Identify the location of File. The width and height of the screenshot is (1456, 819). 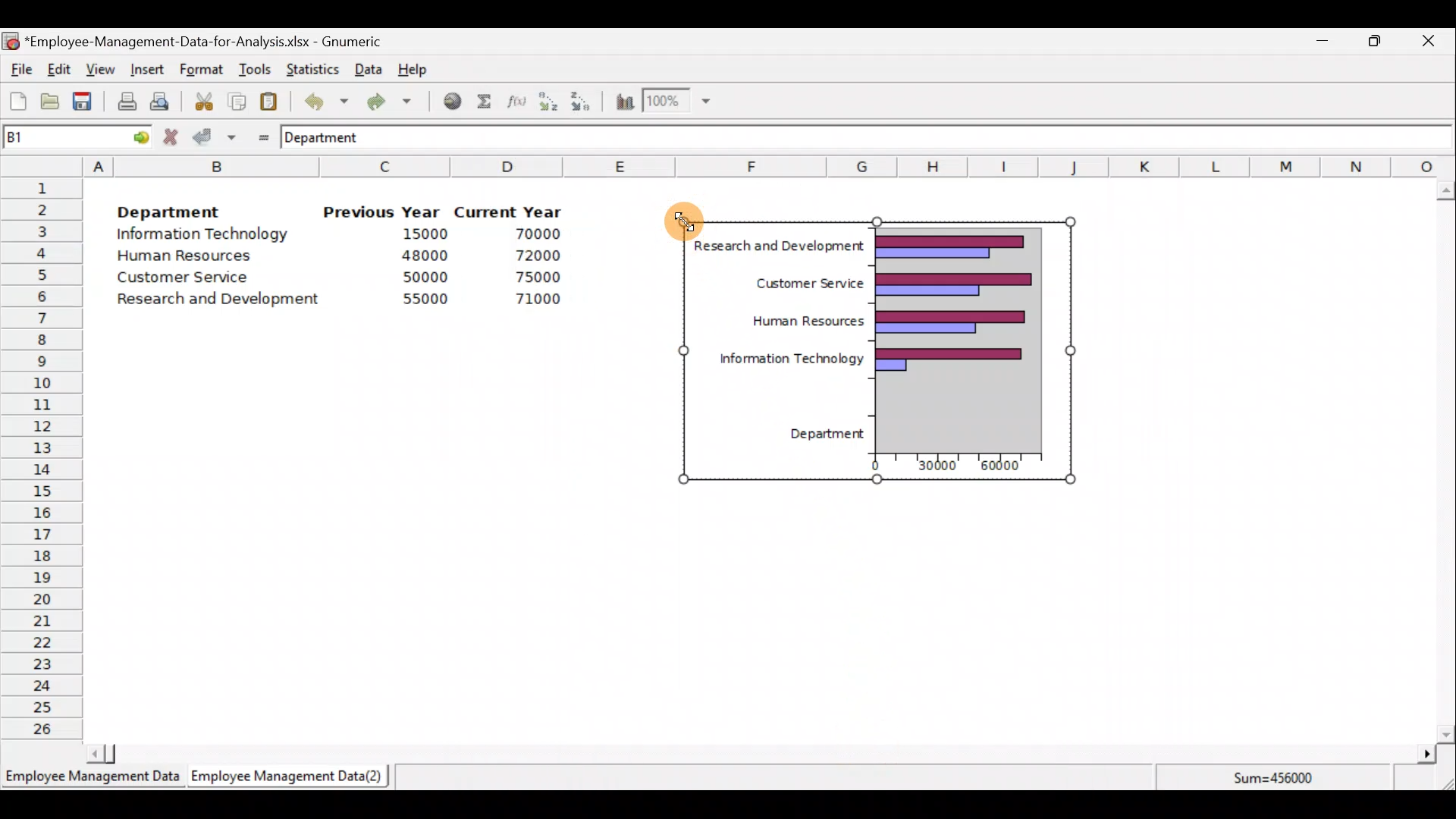
(19, 70).